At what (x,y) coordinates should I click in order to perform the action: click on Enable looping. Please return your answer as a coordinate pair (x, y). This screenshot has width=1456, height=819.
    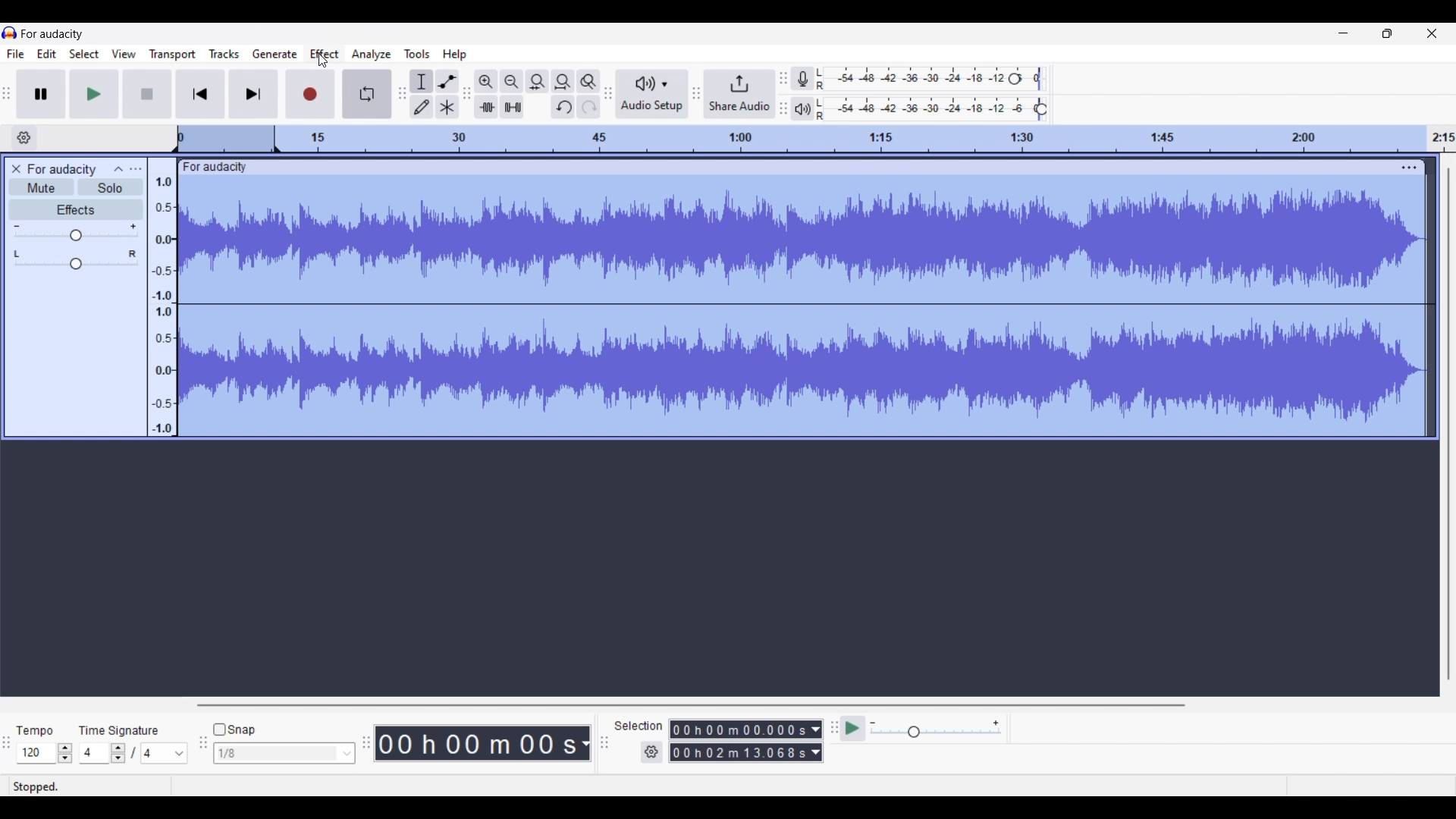
    Looking at the image, I should click on (367, 94).